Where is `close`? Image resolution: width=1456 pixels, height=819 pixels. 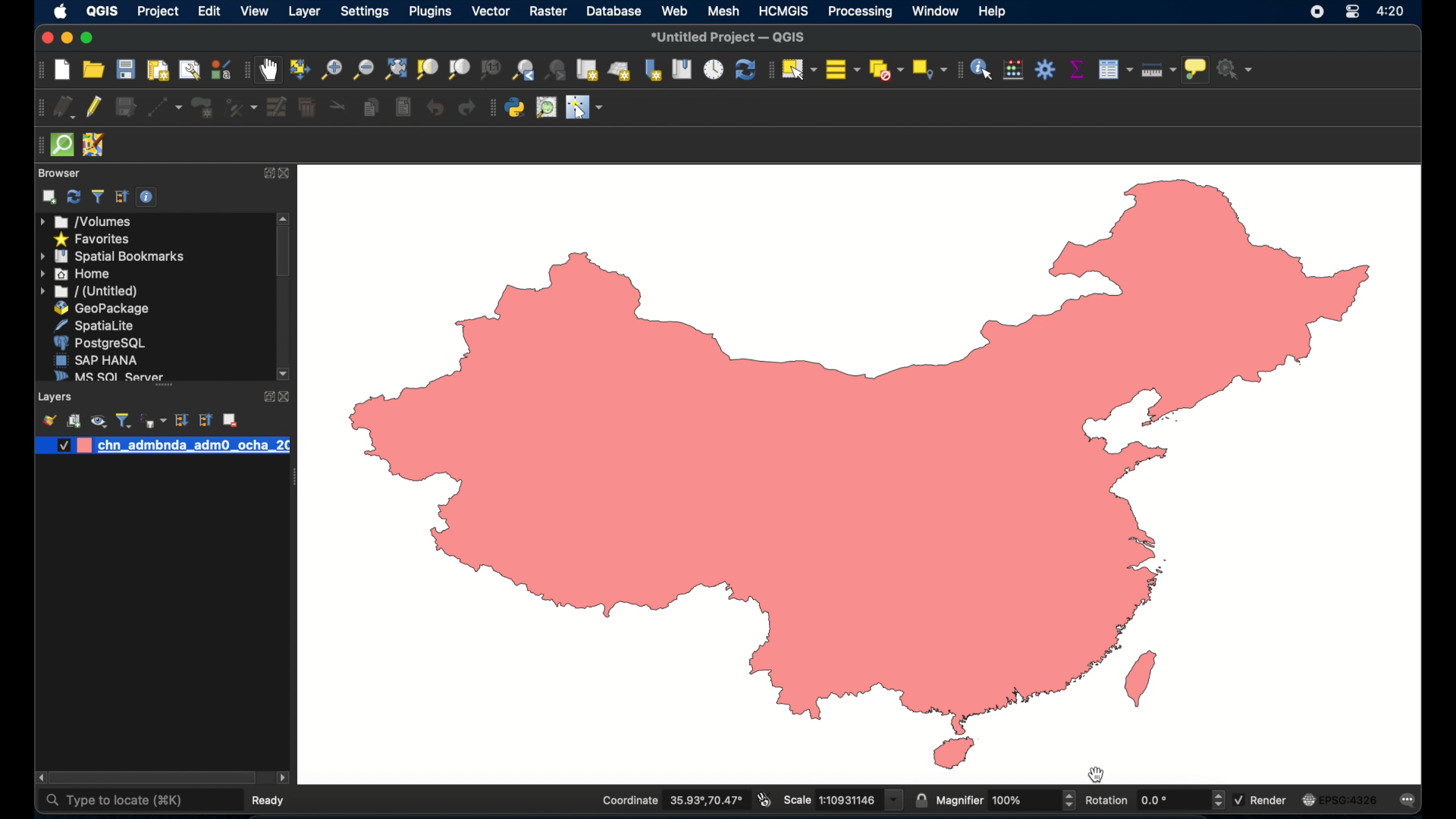 close is located at coordinates (45, 40).